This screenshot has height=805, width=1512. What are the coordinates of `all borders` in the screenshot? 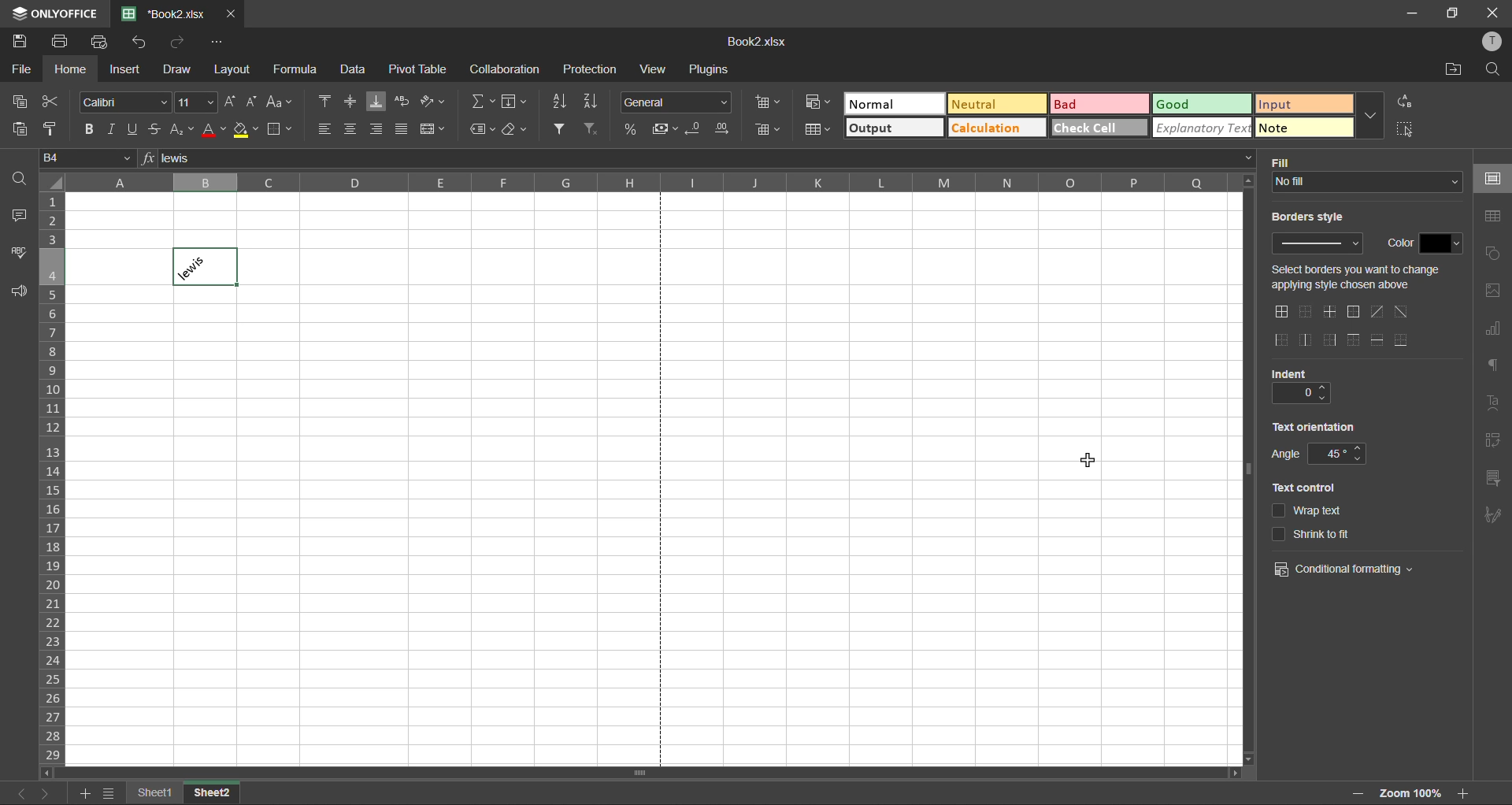 It's located at (1280, 312).